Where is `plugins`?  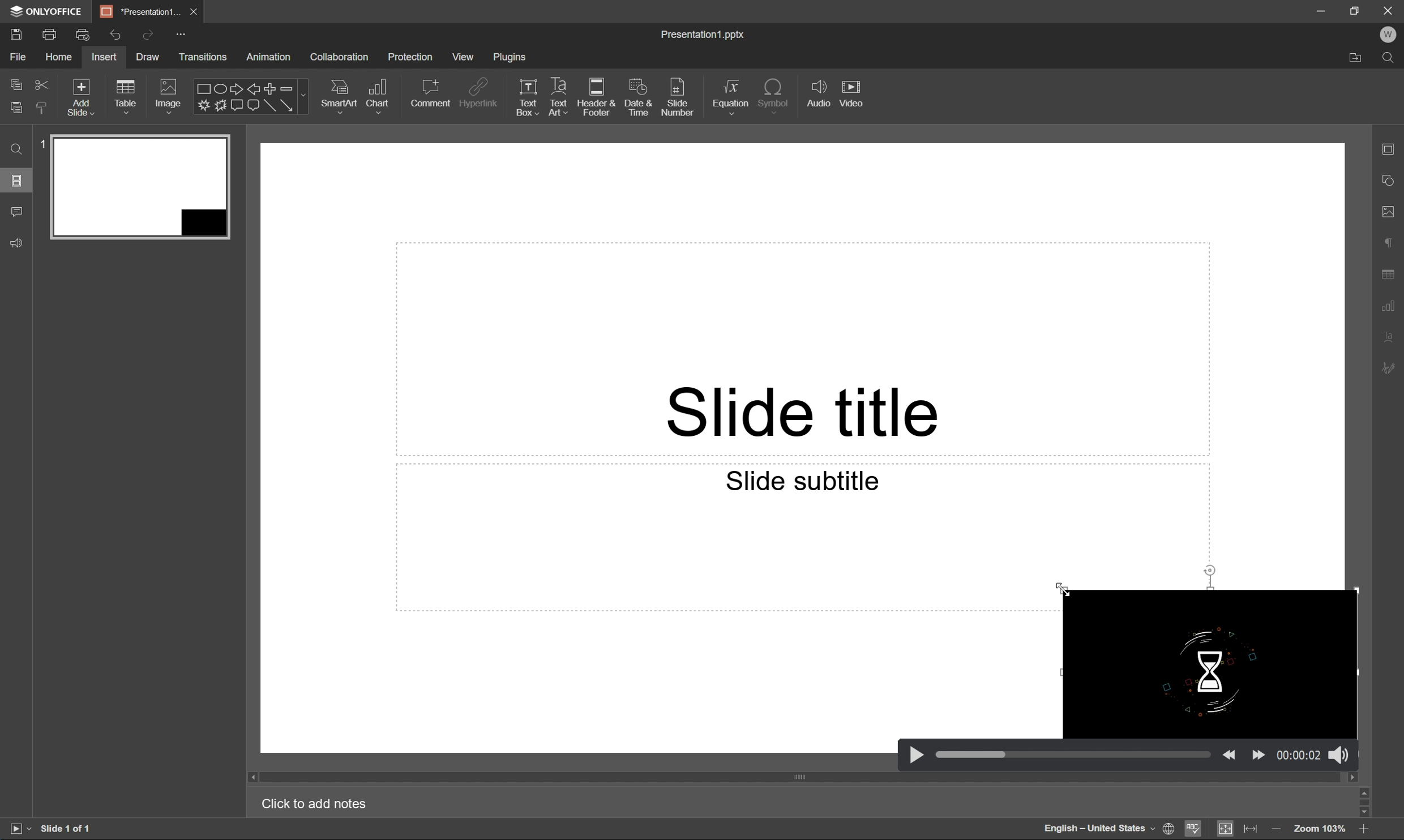
plugins is located at coordinates (514, 59).